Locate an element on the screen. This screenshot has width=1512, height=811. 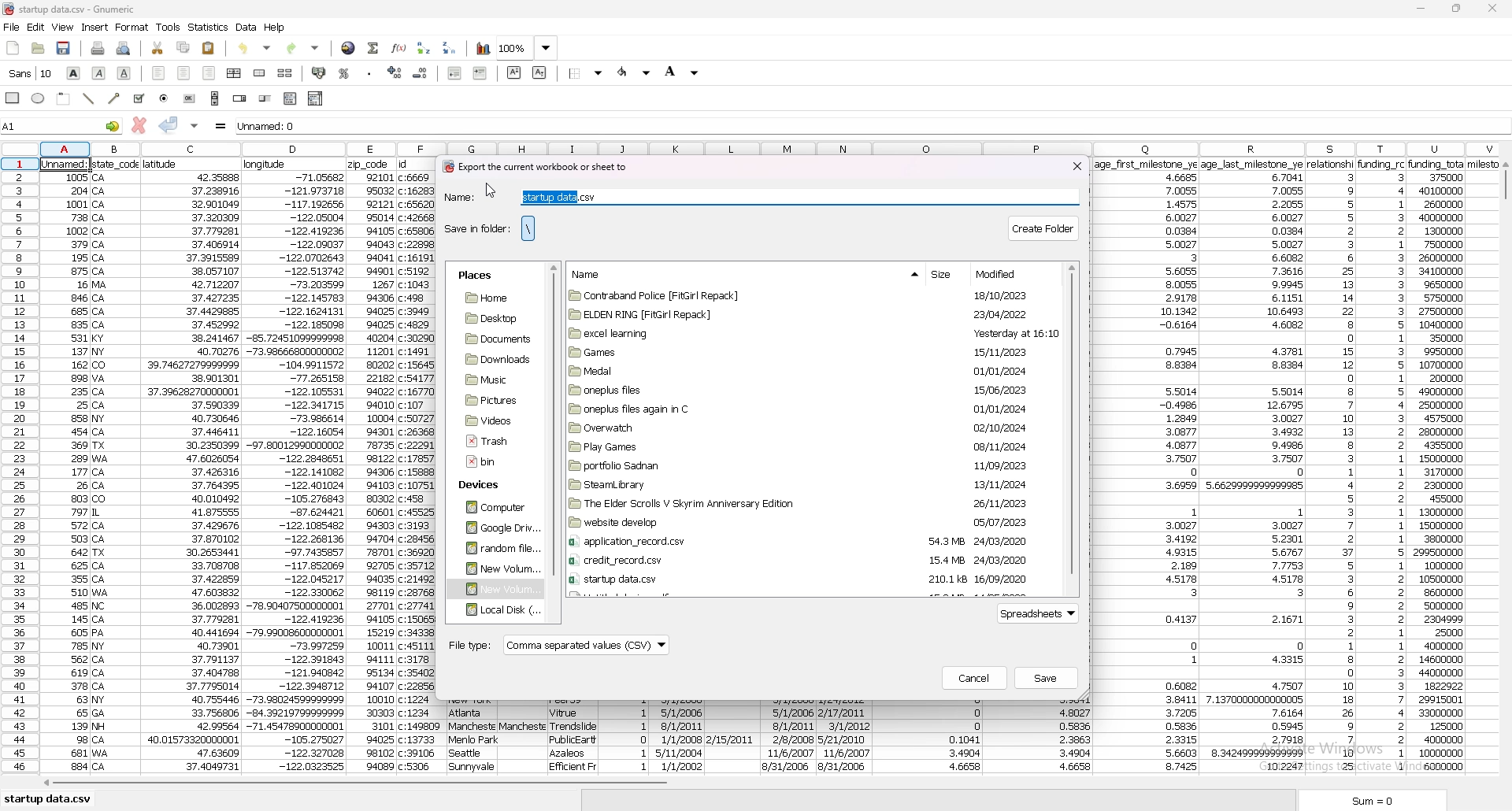
size is located at coordinates (944, 276).